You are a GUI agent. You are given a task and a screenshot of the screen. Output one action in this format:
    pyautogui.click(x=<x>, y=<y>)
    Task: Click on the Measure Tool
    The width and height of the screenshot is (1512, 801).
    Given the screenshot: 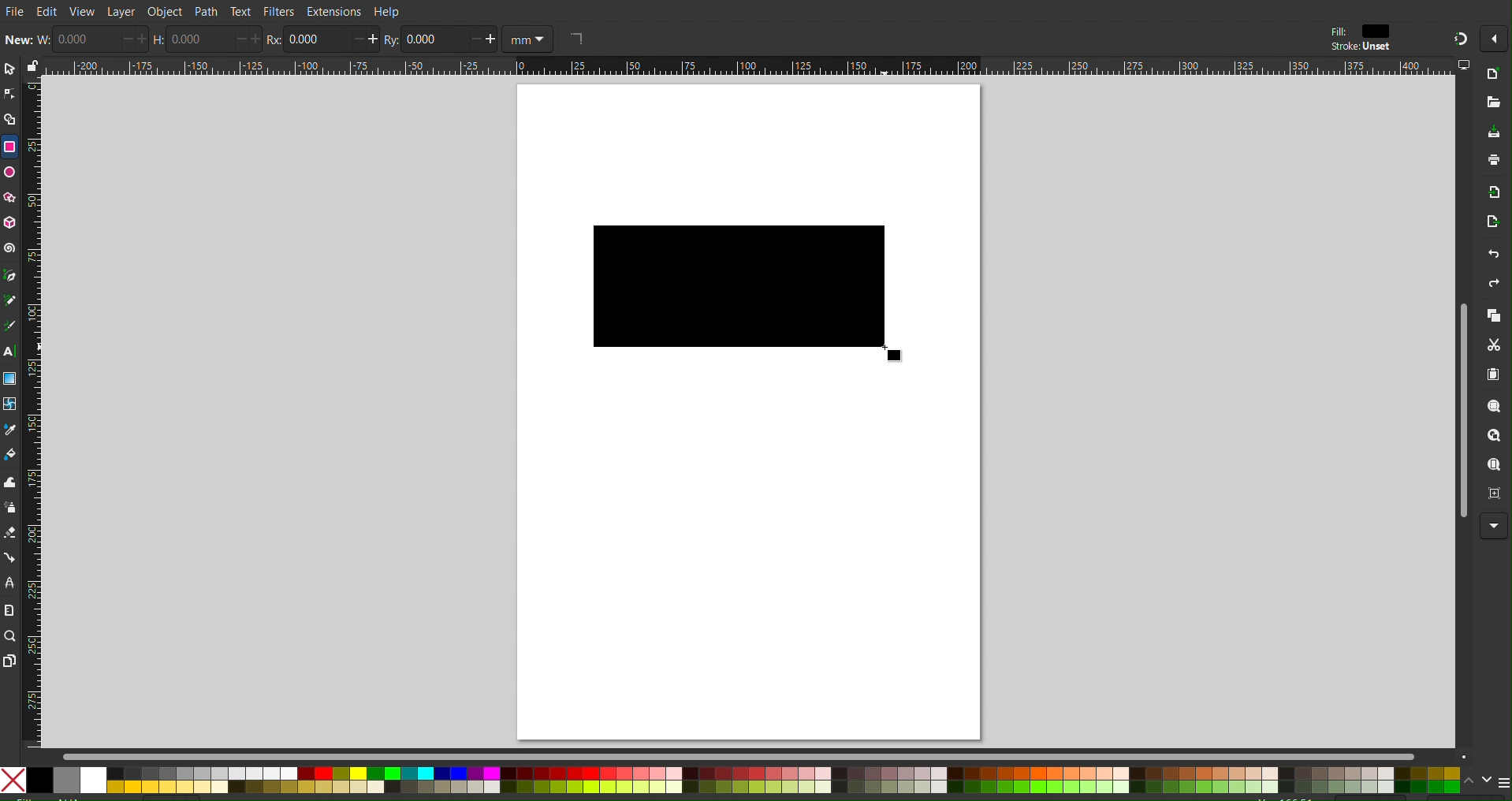 What is the action you would take?
    pyautogui.click(x=9, y=610)
    